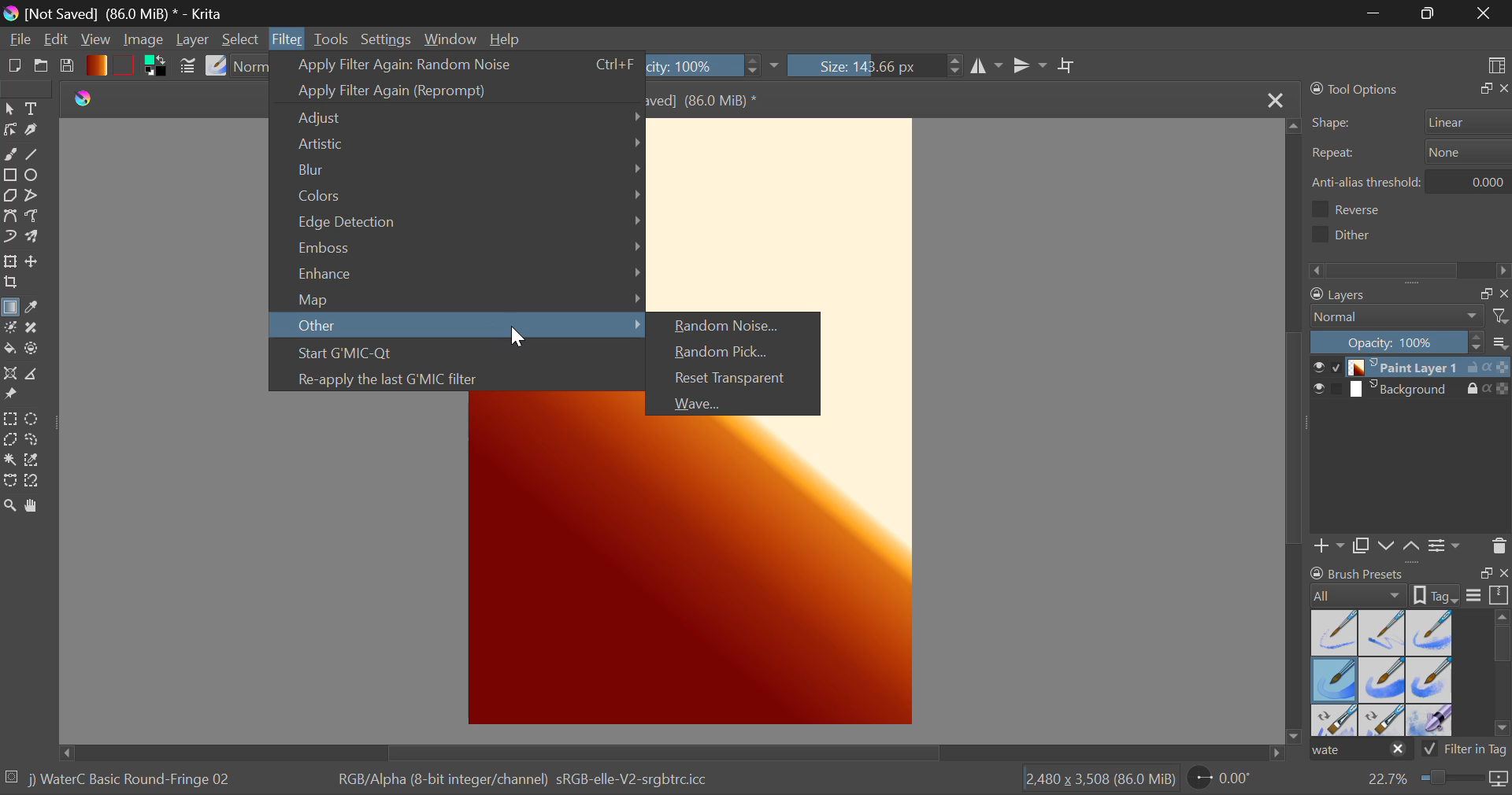 This screenshot has height=795, width=1512. What do you see at coordinates (458, 119) in the screenshot?
I see `Adjust` at bounding box center [458, 119].